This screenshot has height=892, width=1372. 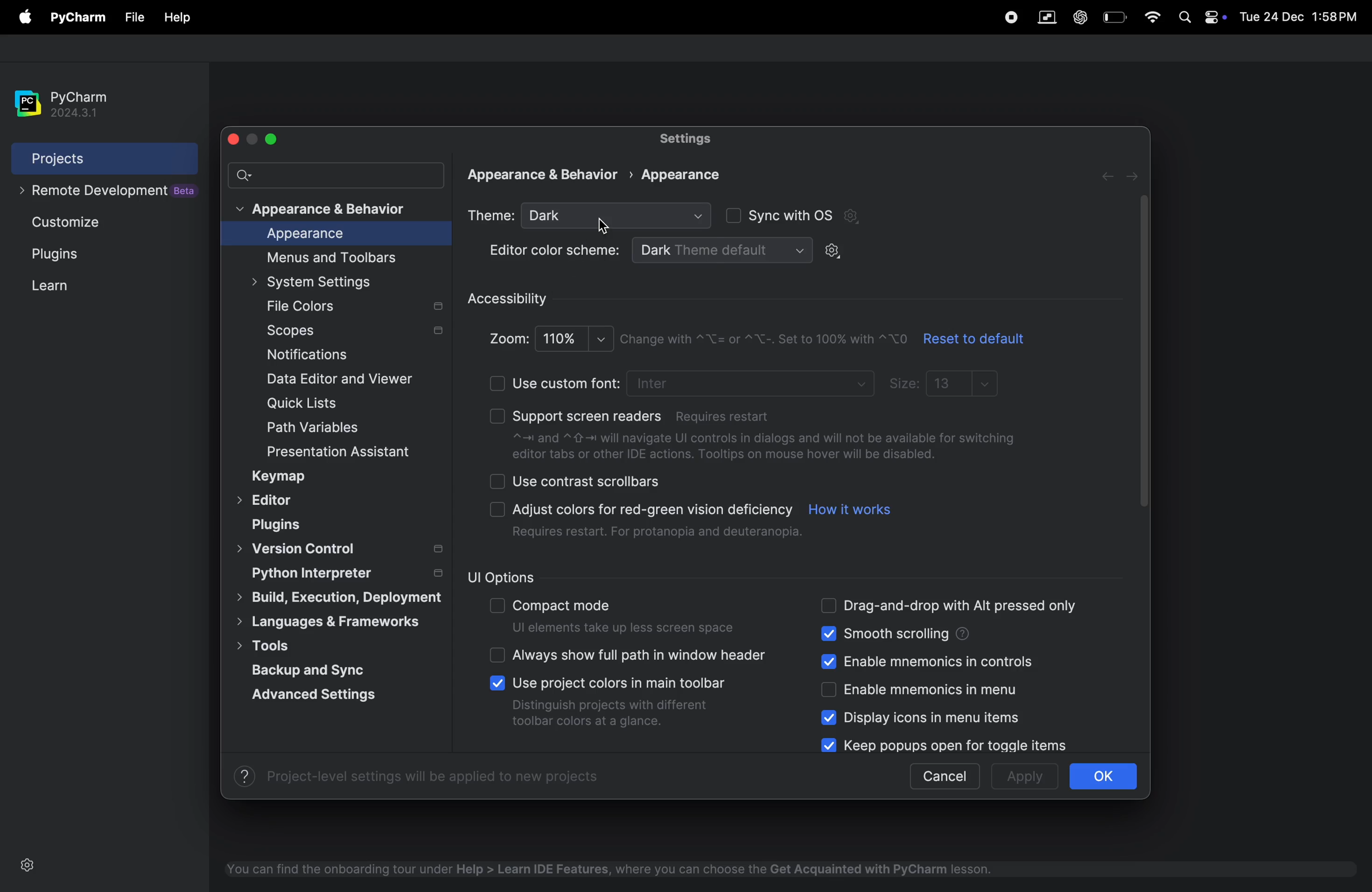 What do you see at coordinates (702, 139) in the screenshot?
I see `settings` at bounding box center [702, 139].